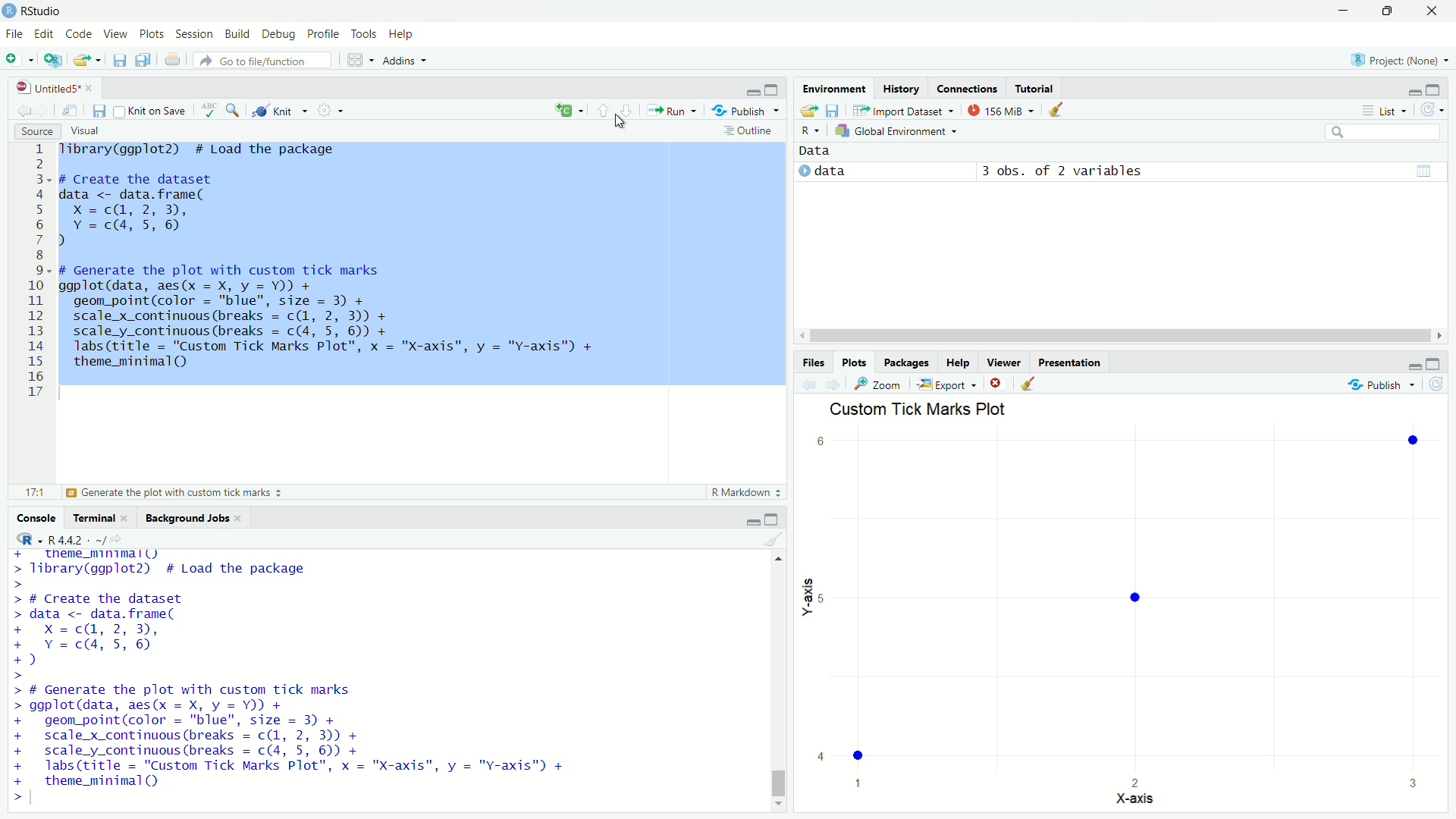  I want to click on files, so click(812, 361).